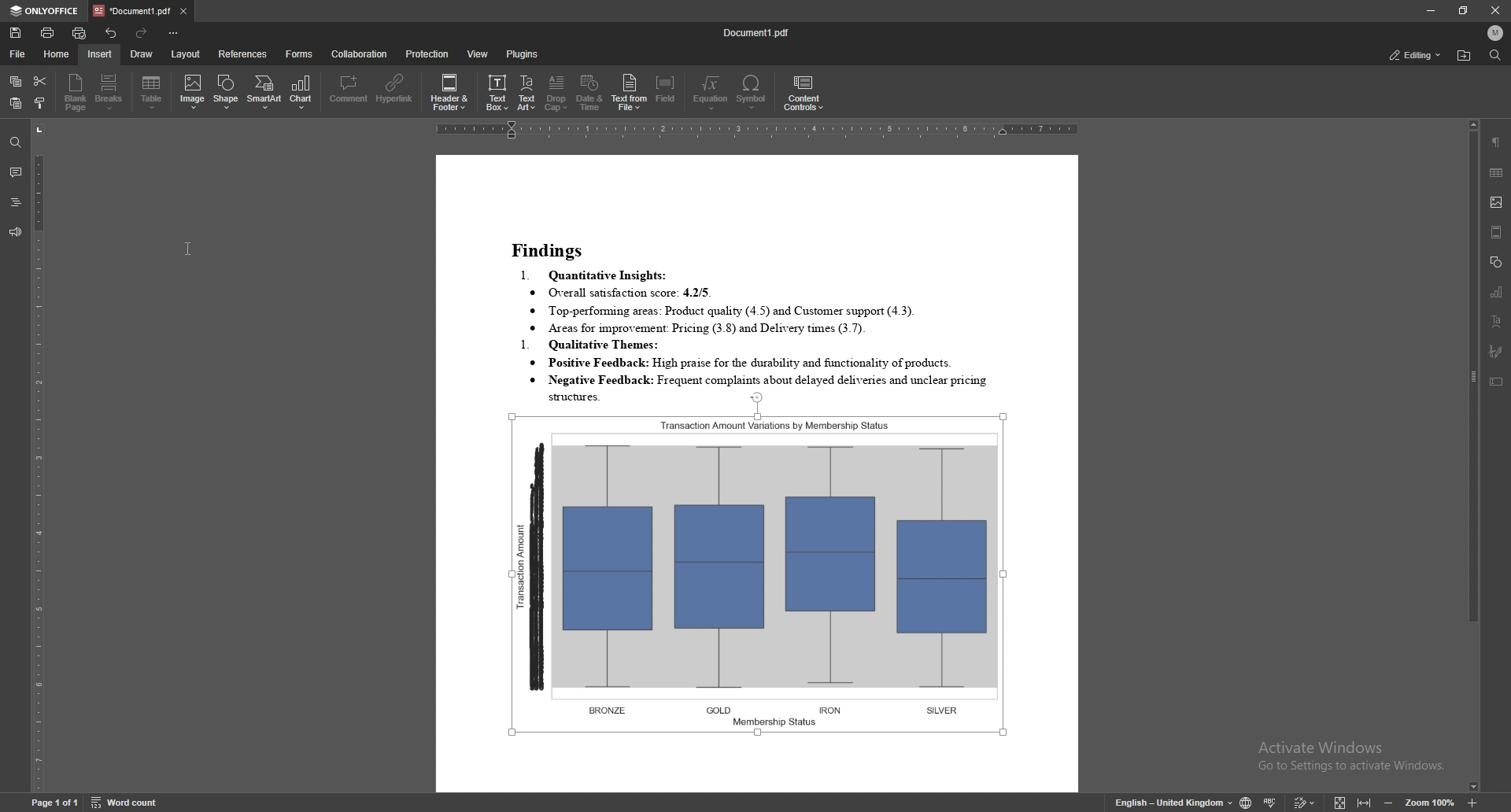 Image resolution: width=1511 pixels, height=812 pixels. I want to click on word count, so click(127, 802).